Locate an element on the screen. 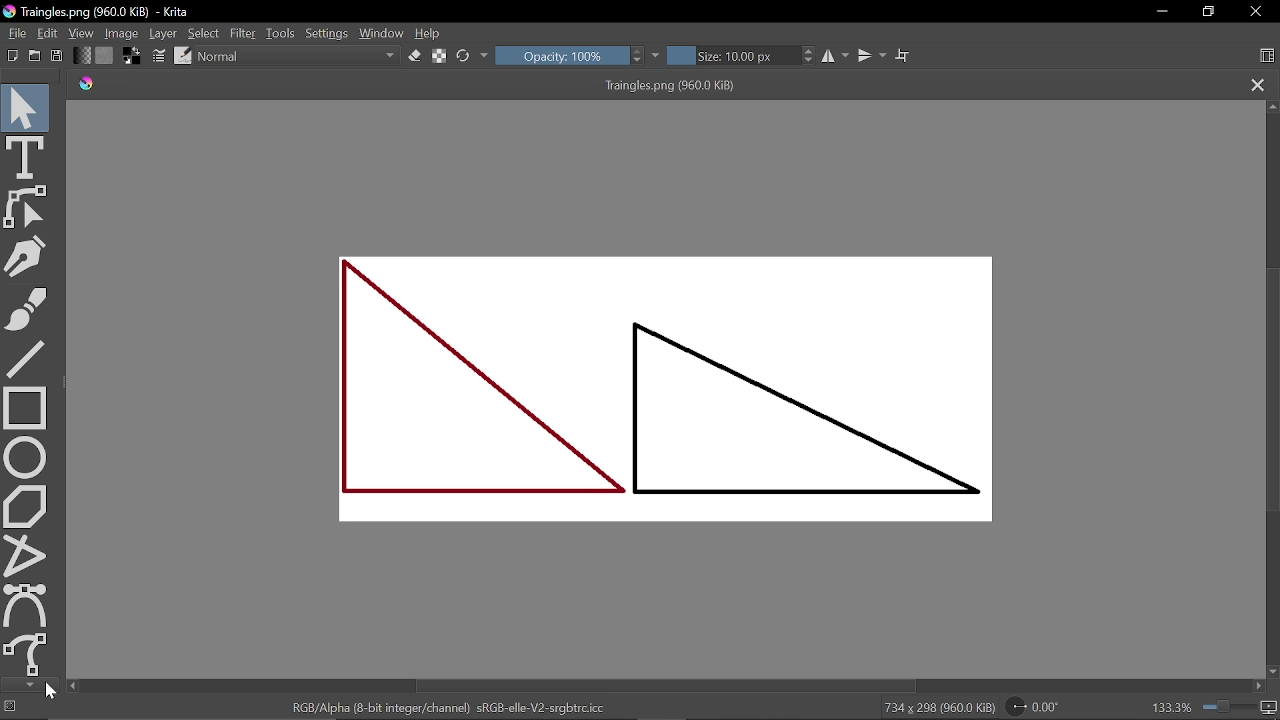 This screenshot has height=720, width=1280. Image is located at coordinates (123, 35).